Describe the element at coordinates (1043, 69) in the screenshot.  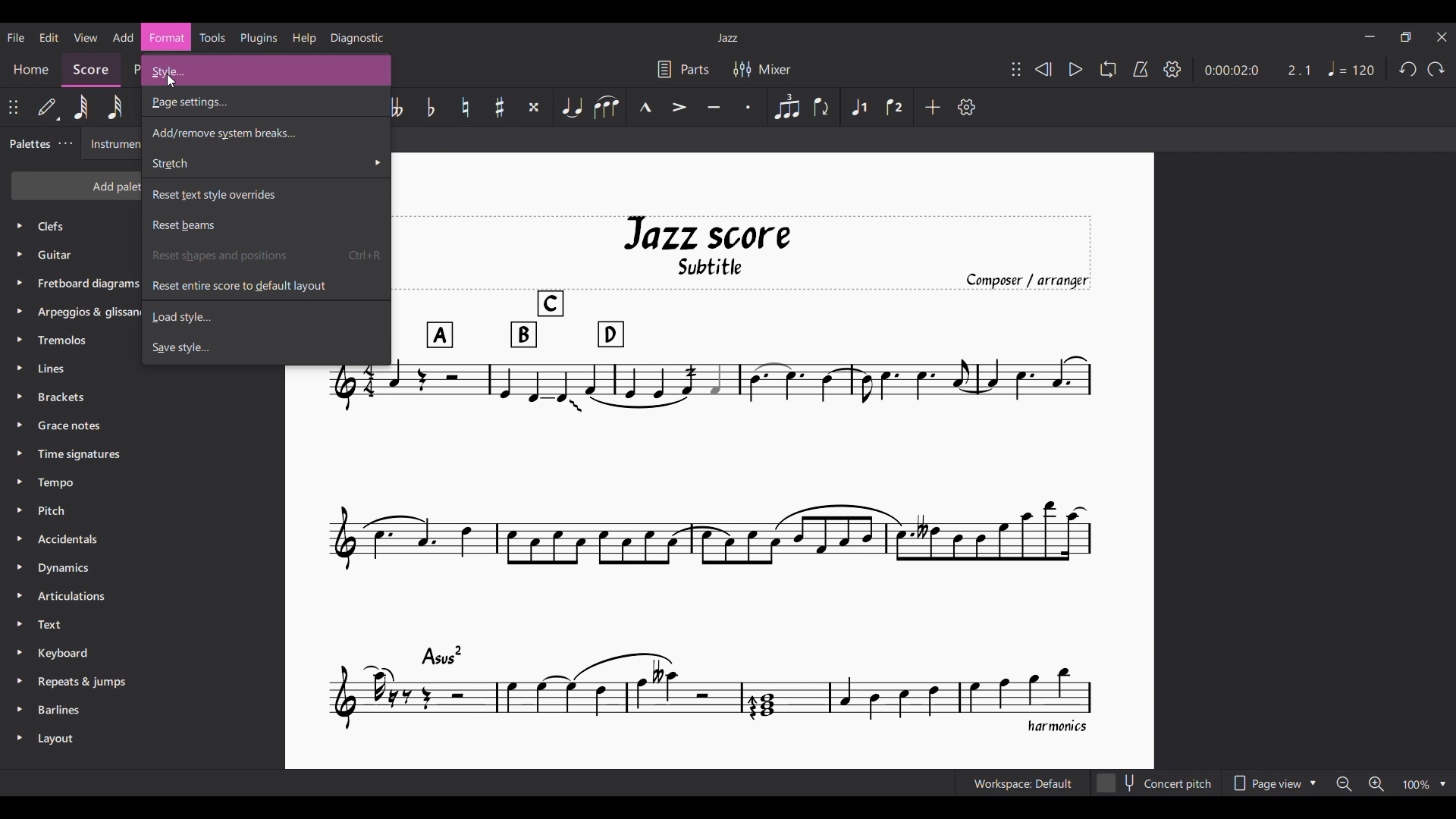
I see `Rewind` at that location.